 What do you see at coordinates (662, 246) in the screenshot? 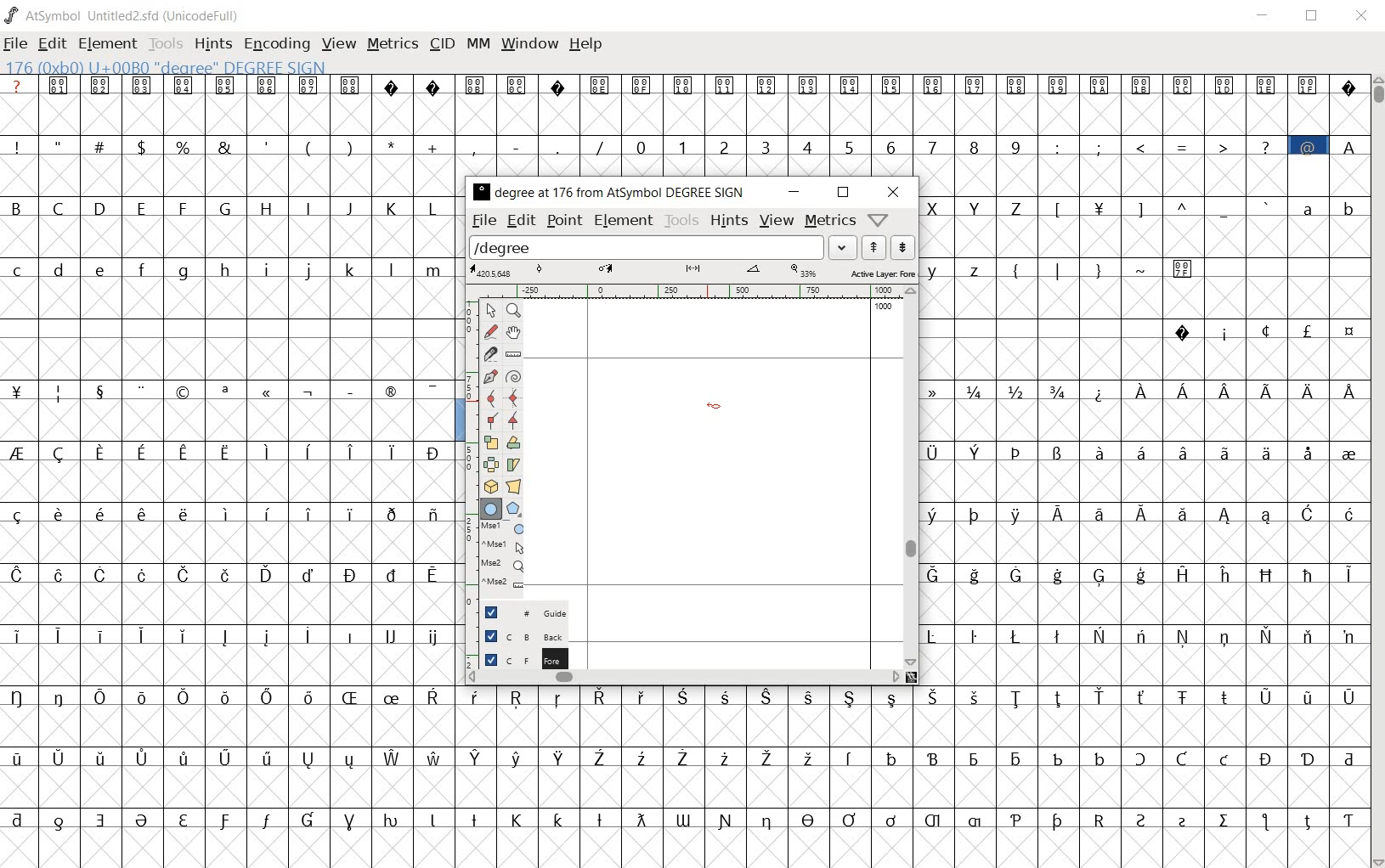
I see `load word list` at bounding box center [662, 246].